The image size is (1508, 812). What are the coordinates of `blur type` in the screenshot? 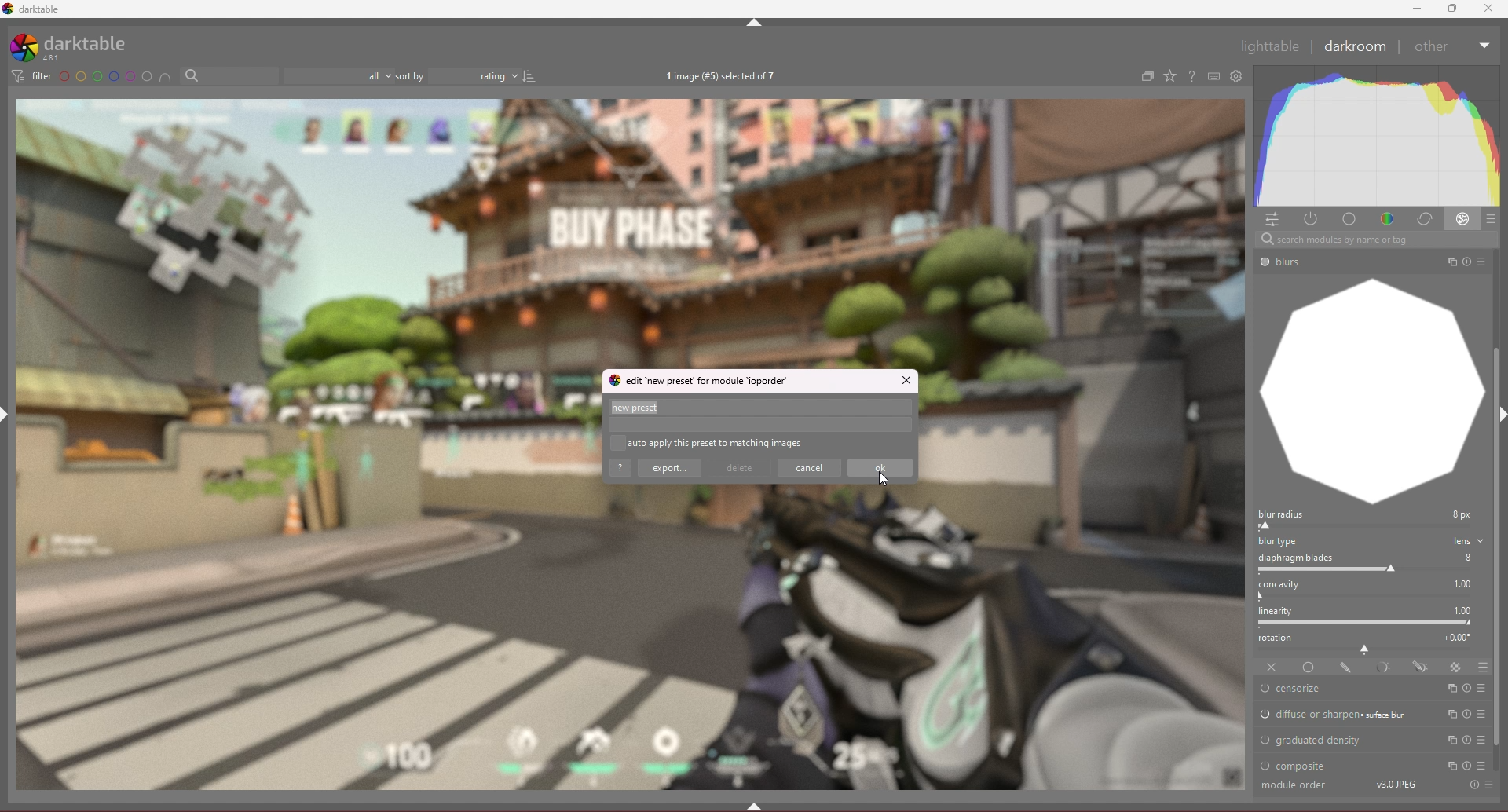 It's located at (1372, 541).